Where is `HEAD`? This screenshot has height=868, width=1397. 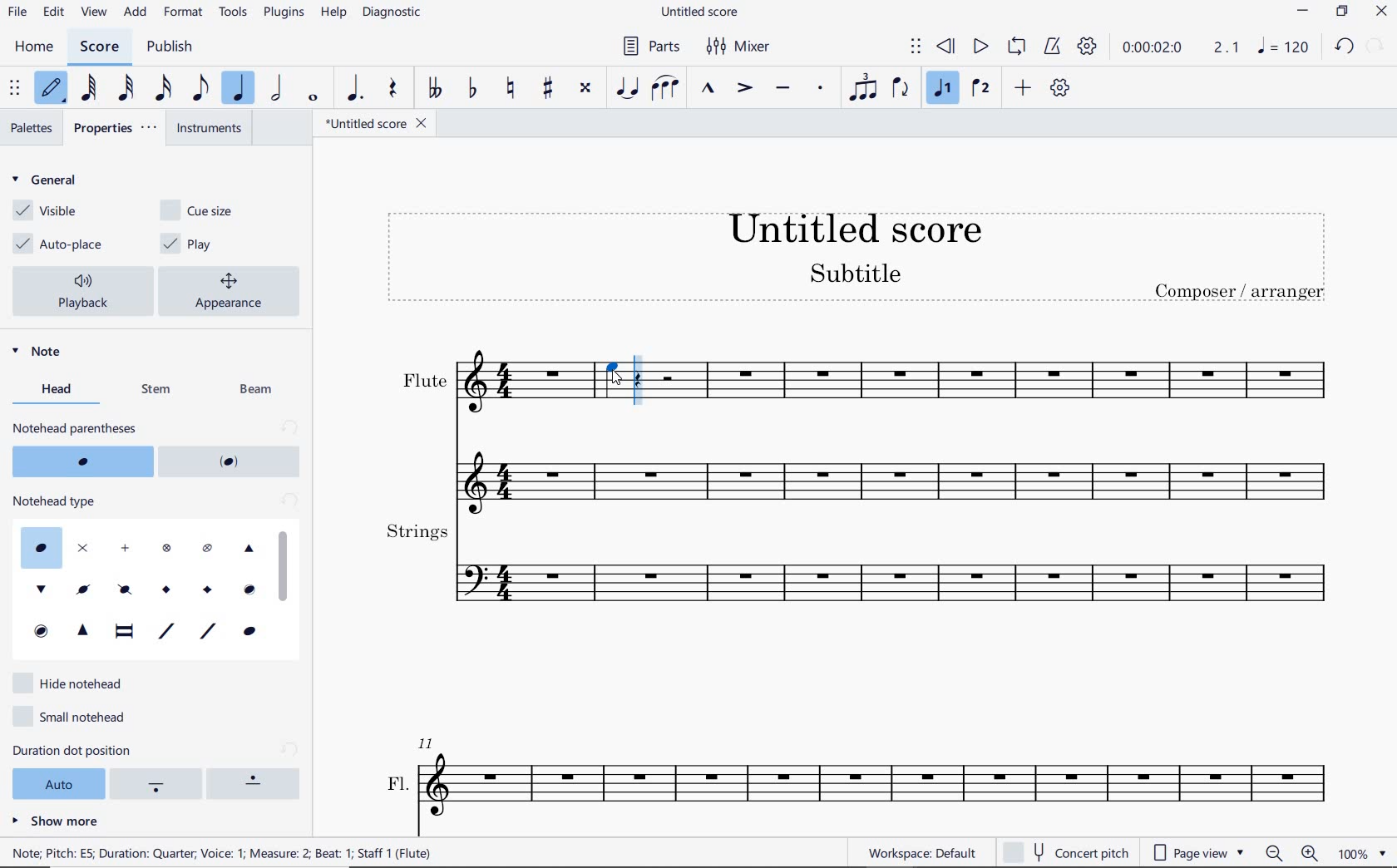
HEAD is located at coordinates (53, 391).